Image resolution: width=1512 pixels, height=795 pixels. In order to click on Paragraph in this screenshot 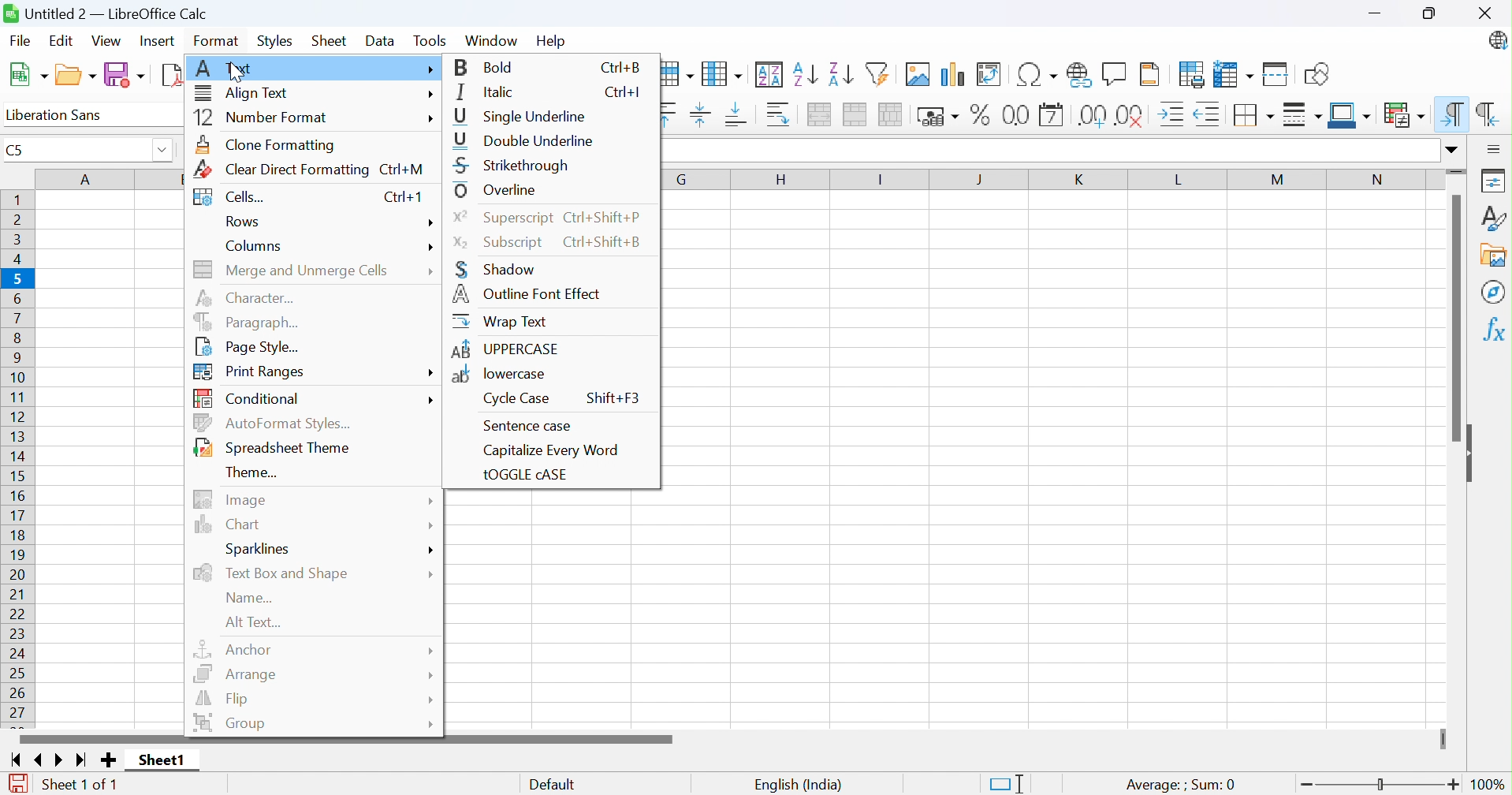, I will do `click(250, 320)`.